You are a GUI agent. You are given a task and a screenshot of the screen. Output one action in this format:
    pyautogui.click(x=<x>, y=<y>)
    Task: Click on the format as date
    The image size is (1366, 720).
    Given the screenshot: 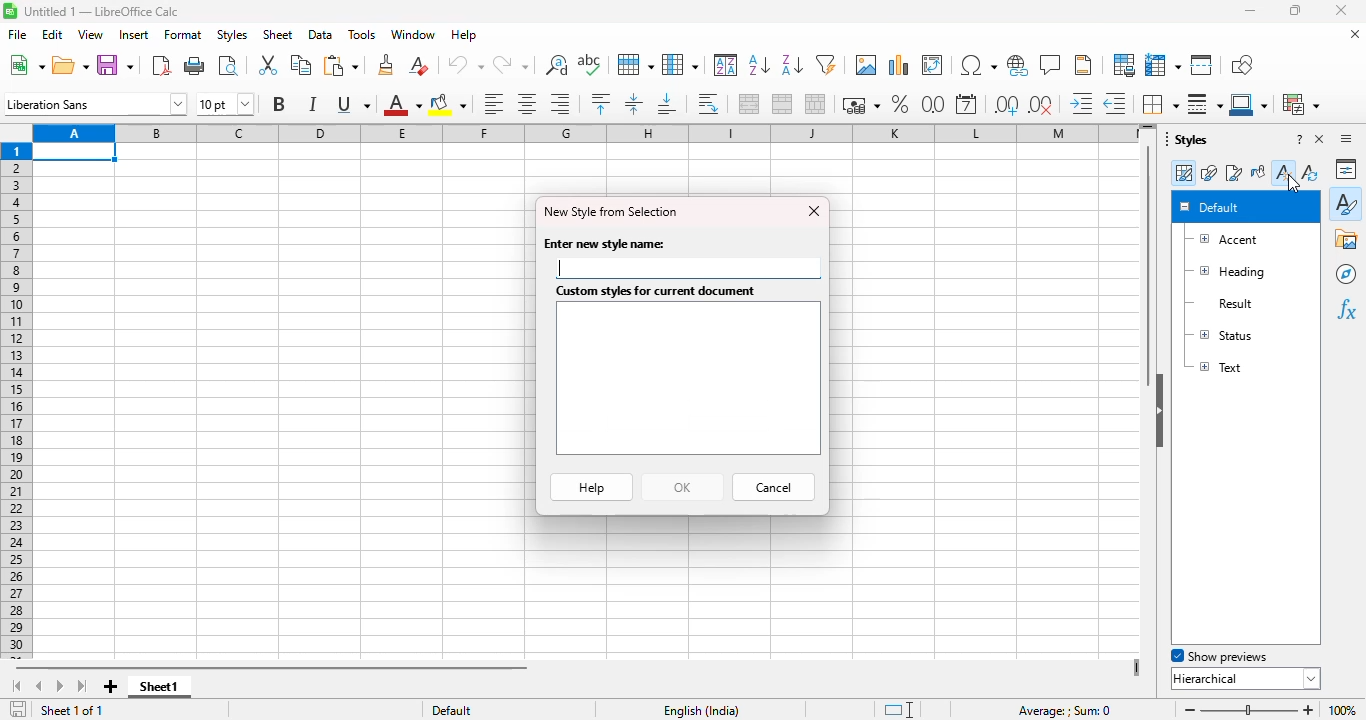 What is the action you would take?
    pyautogui.click(x=966, y=104)
    